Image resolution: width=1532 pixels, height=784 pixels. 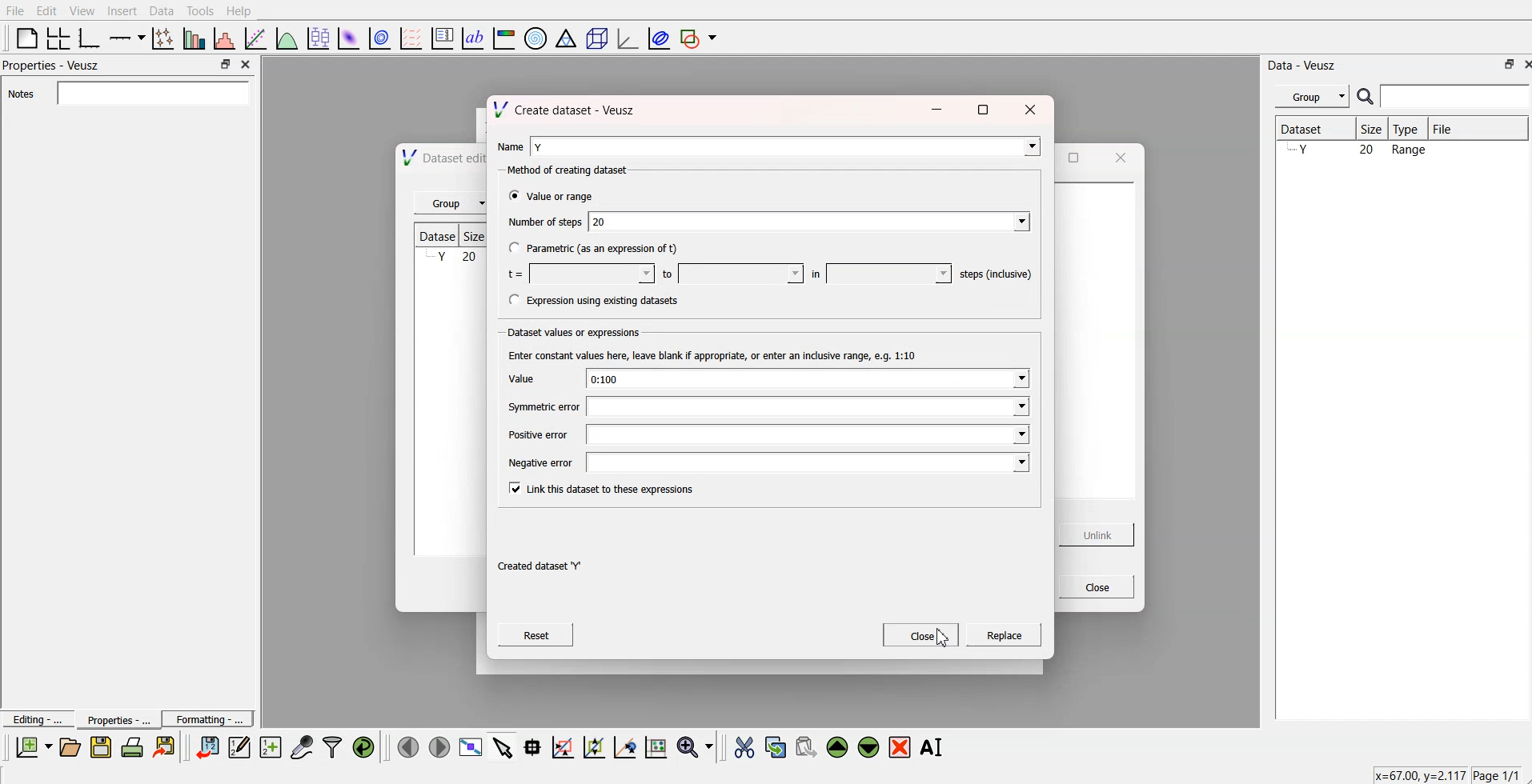 What do you see at coordinates (985, 109) in the screenshot?
I see `maximize` at bounding box center [985, 109].